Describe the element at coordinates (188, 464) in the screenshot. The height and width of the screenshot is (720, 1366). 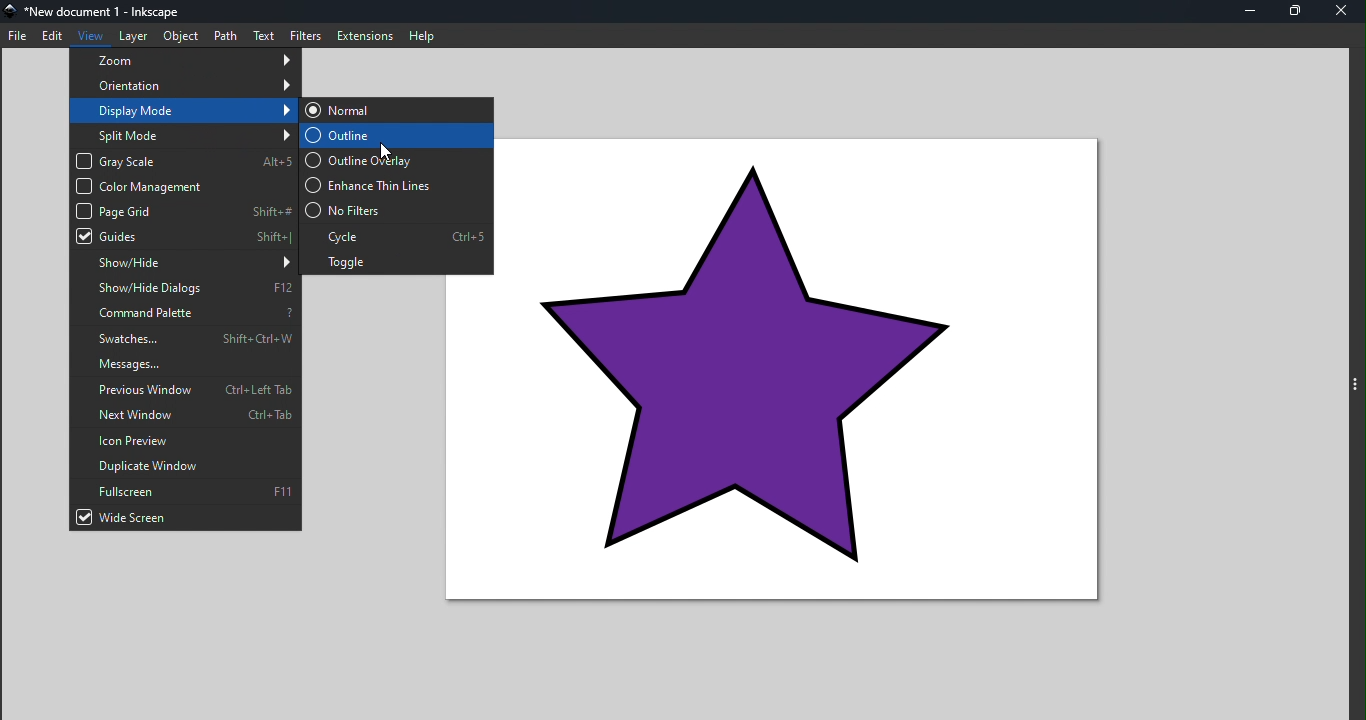
I see `Duplicate window` at that location.